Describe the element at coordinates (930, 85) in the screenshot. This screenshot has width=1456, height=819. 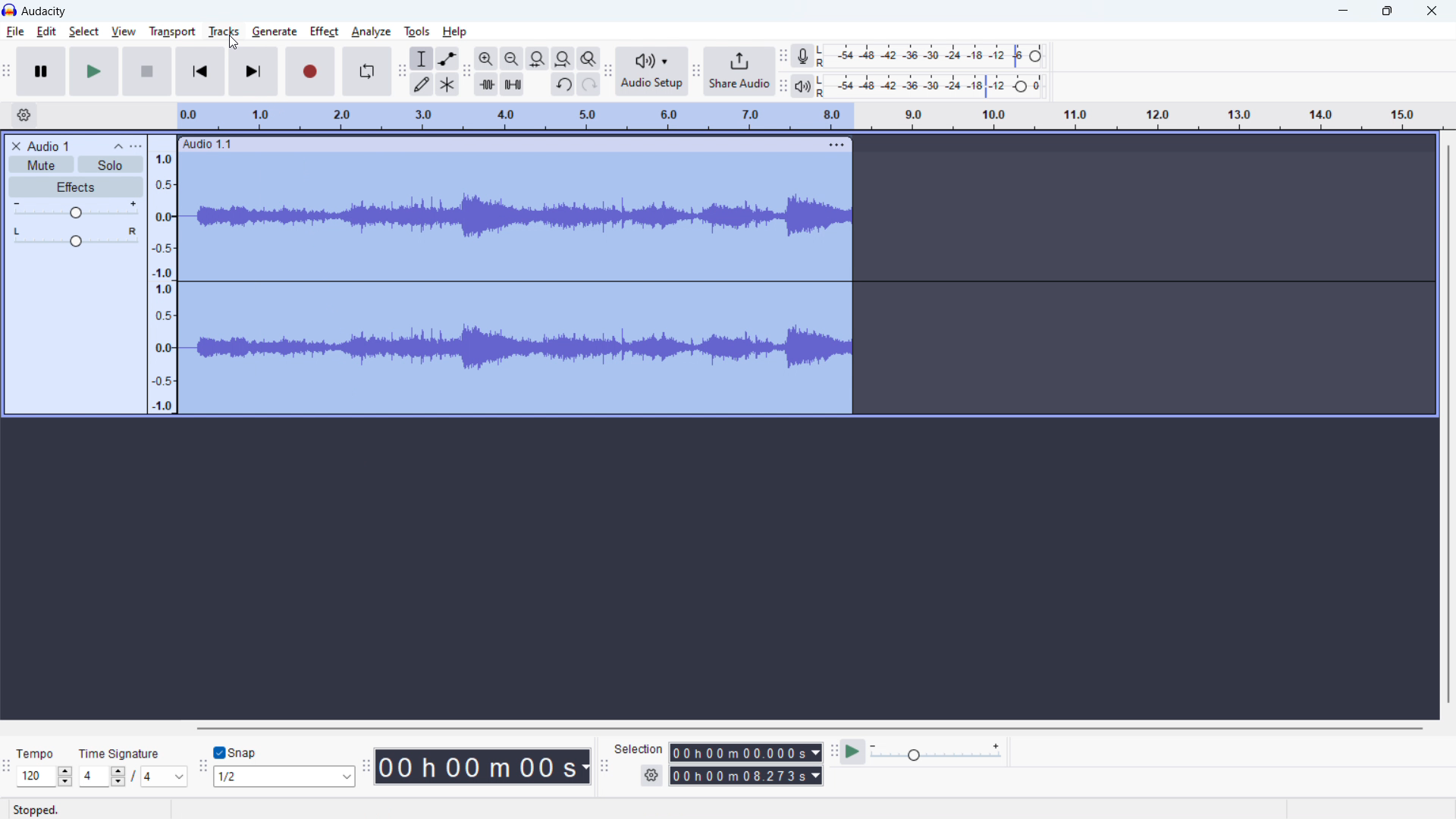
I see `playback level` at that location.